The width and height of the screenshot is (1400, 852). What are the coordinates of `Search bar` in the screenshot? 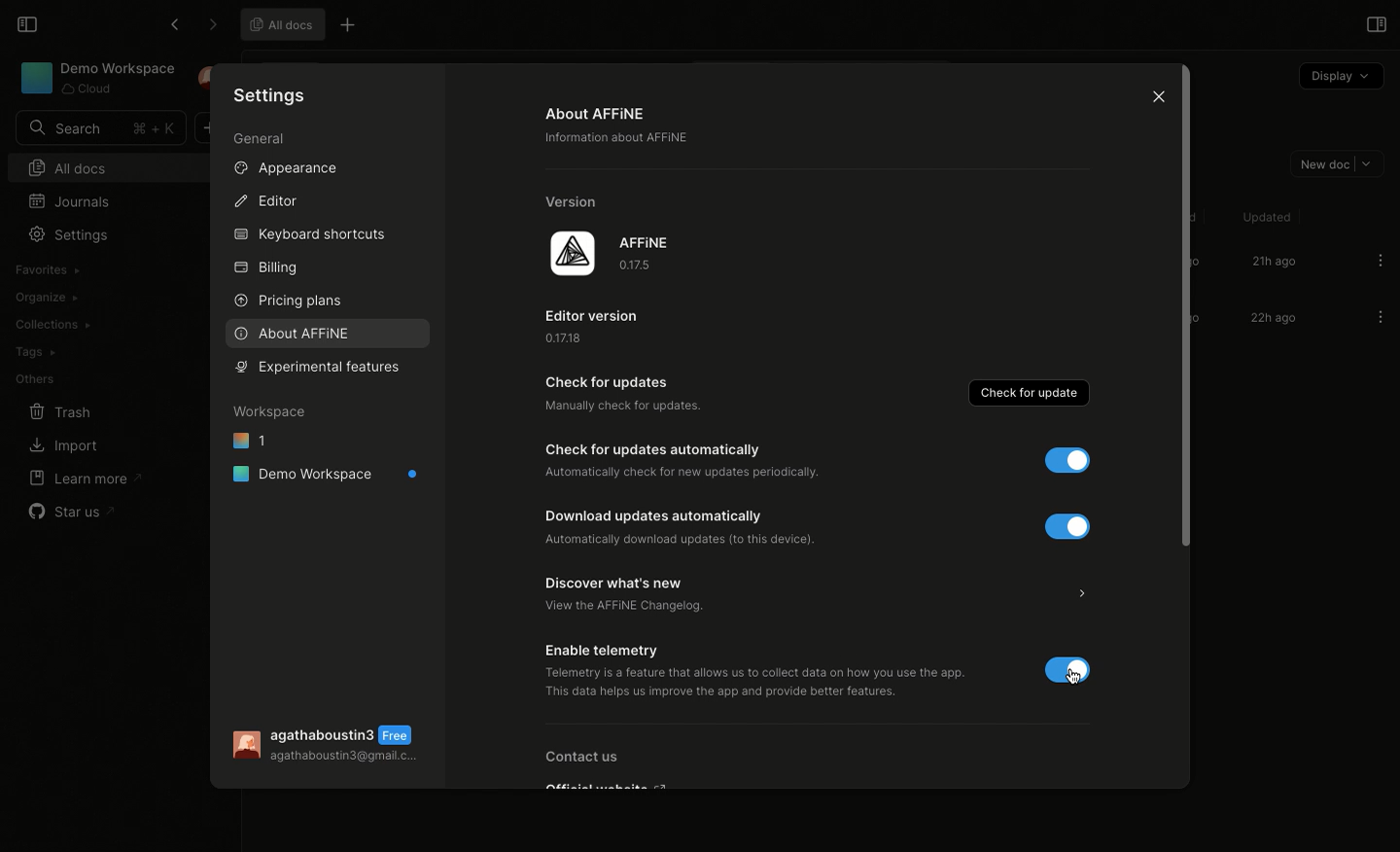 It's located at (98, 128).